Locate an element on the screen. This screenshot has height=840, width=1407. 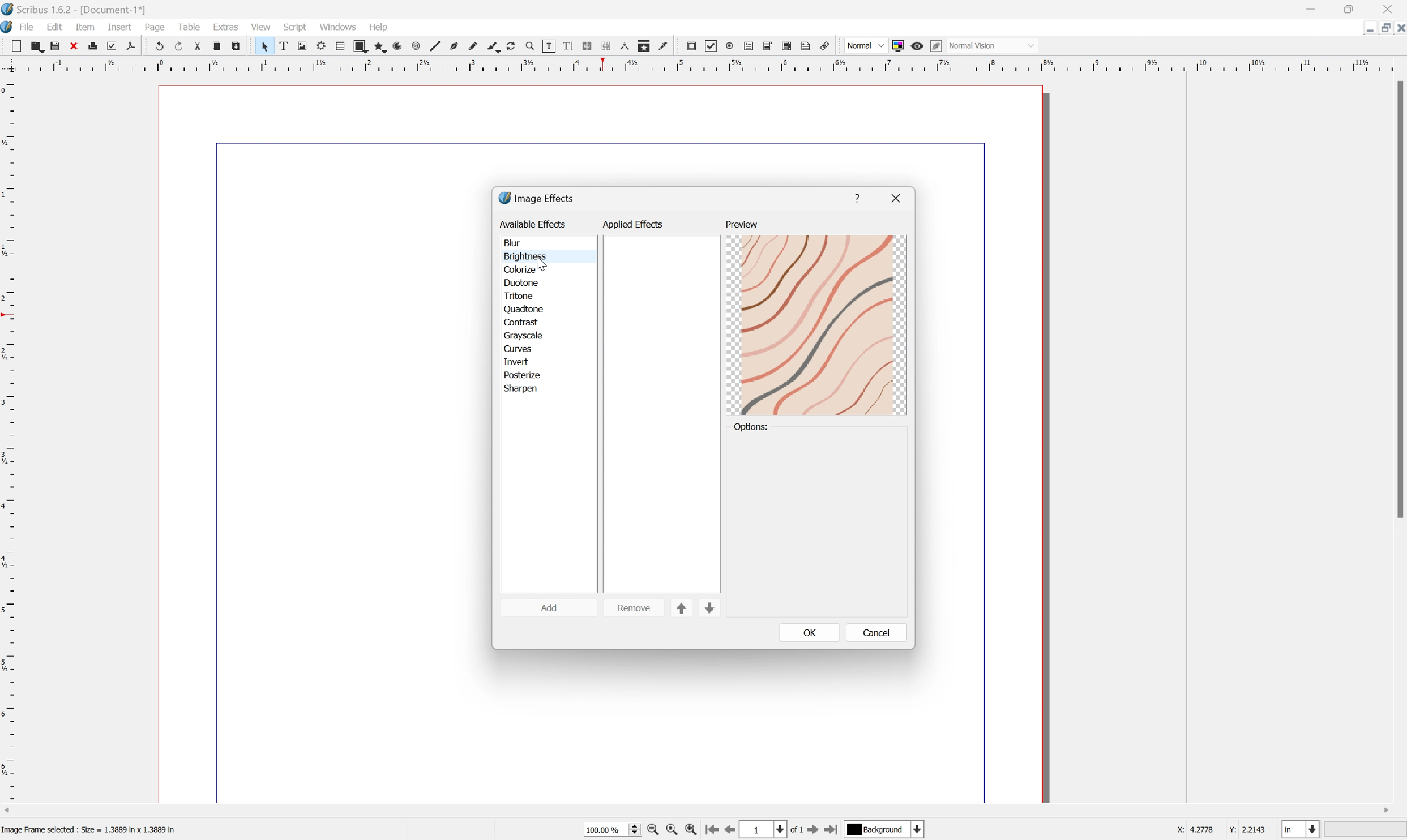
select current layer is located at coordinates (885, 829).